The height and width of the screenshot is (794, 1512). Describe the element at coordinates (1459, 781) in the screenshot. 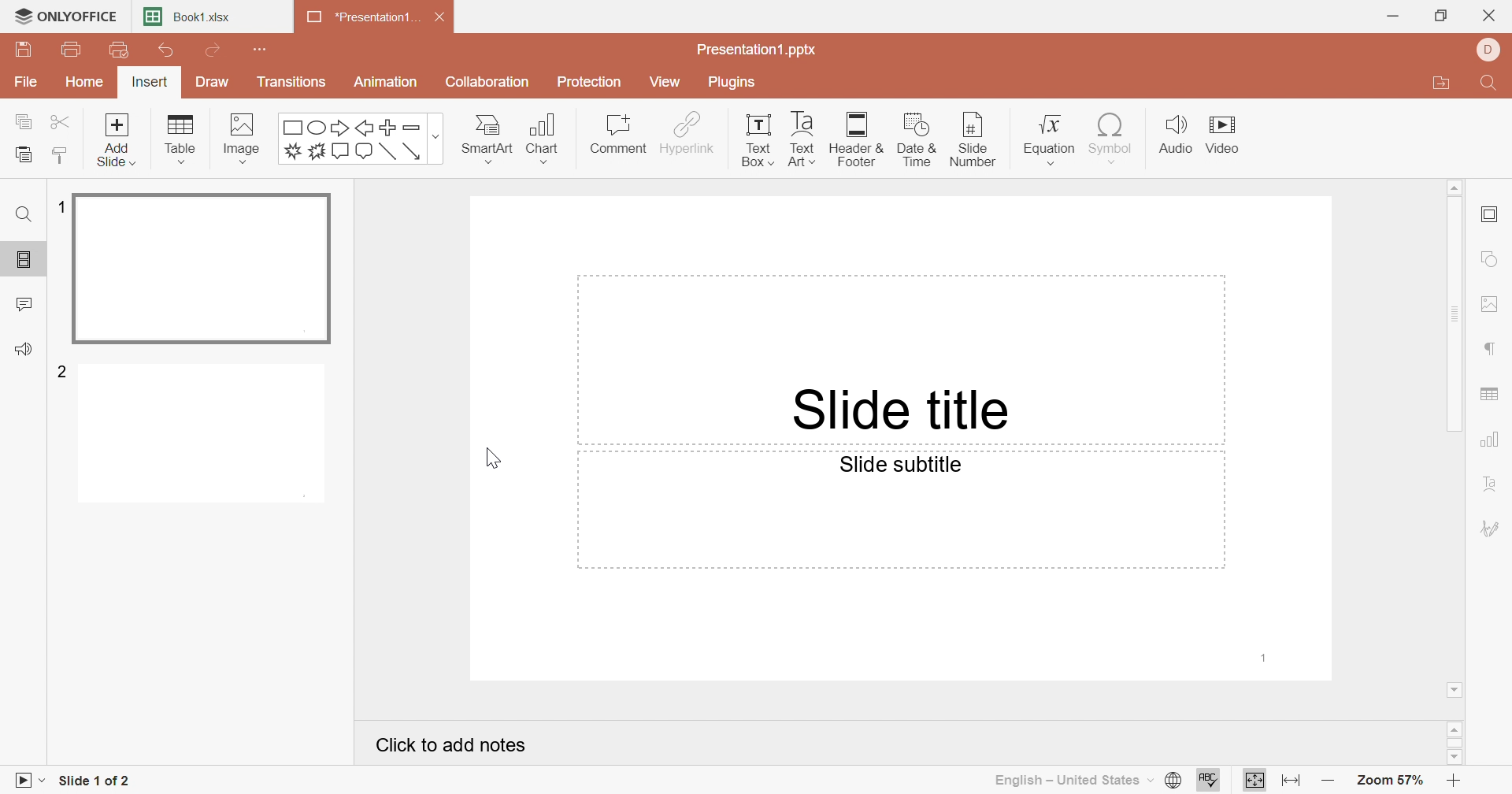

I see `Zoom in` at that location.